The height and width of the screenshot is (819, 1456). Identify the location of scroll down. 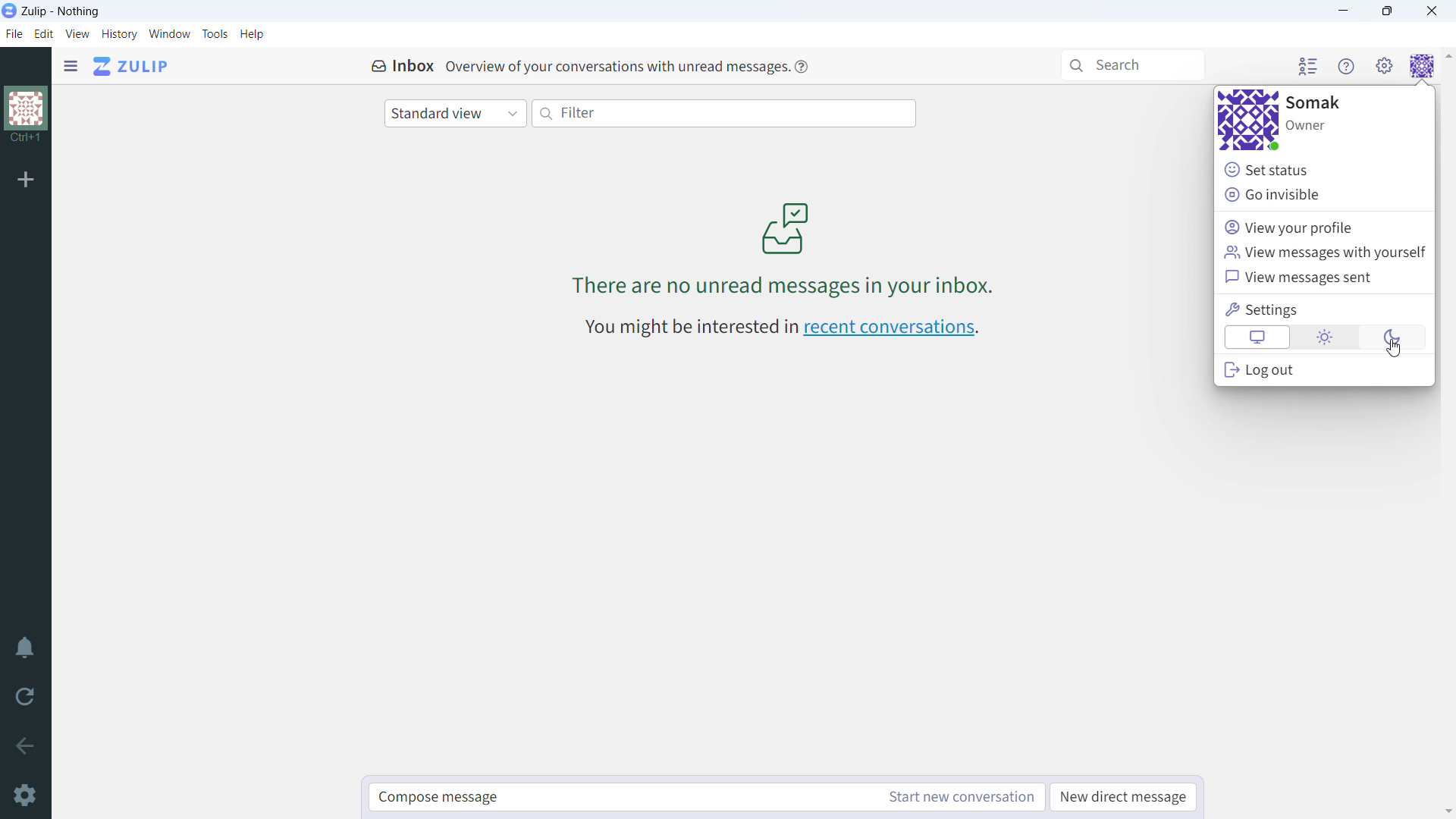
(1447, 811).